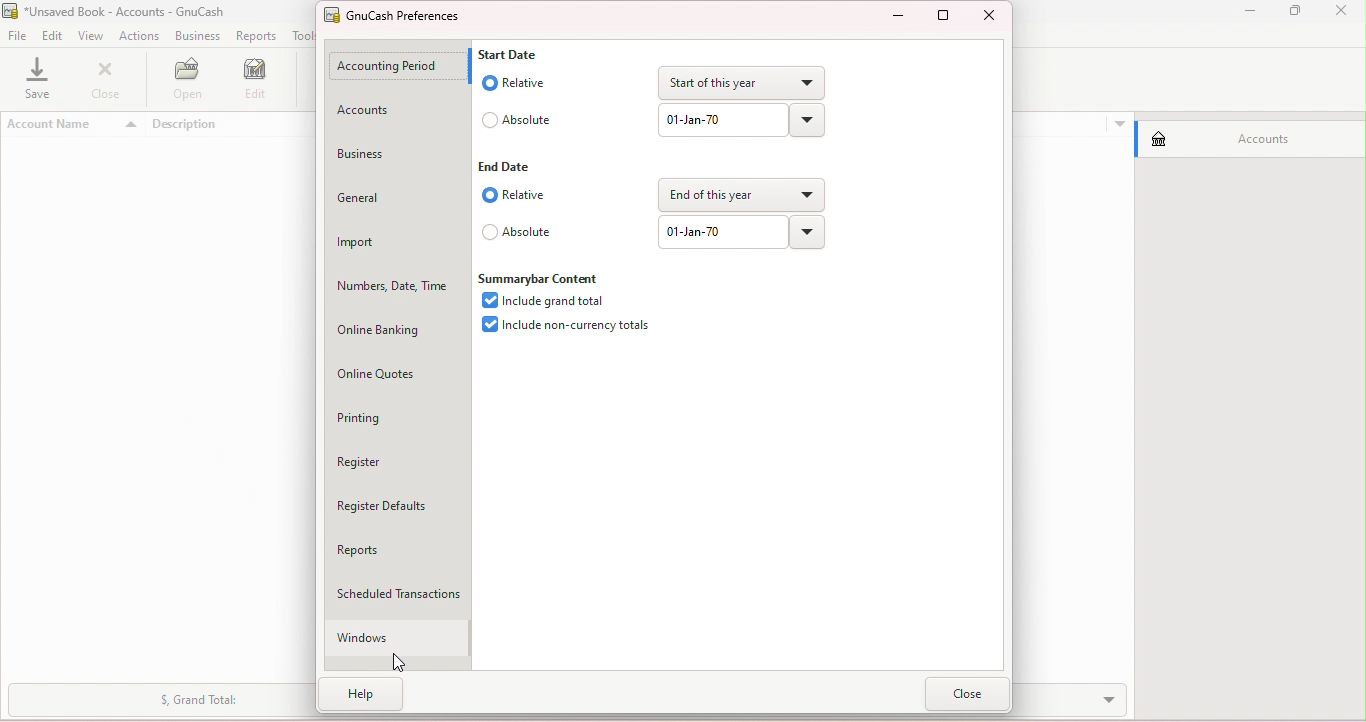 The width and height of the screenshot is (1366, 722). Describe the element at coordinates (517, 53) in the screenshot. I see `Start date` at that location.